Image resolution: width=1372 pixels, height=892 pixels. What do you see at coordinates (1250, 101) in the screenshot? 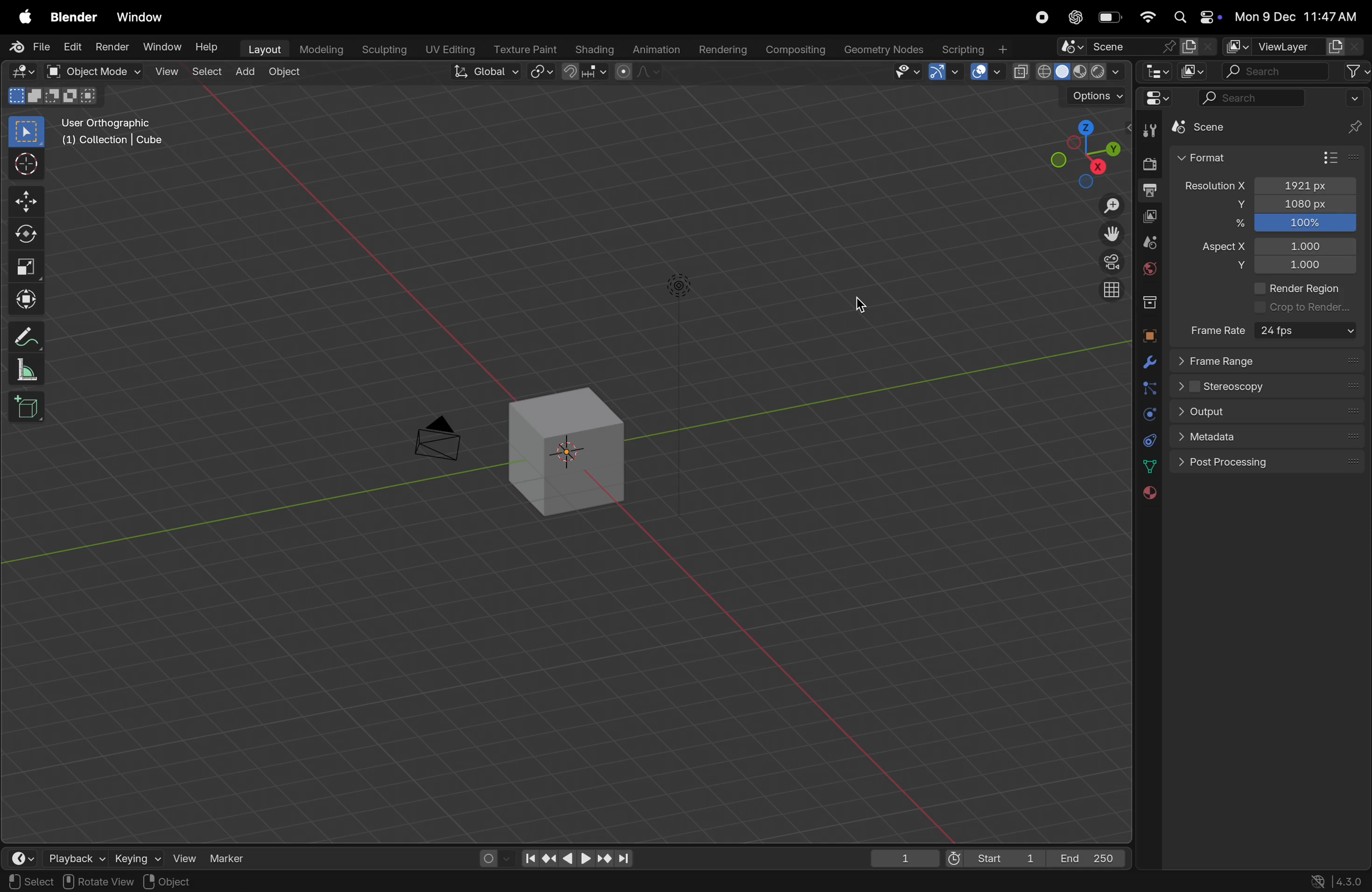
I see `search` at bounding box center [1250, 101].